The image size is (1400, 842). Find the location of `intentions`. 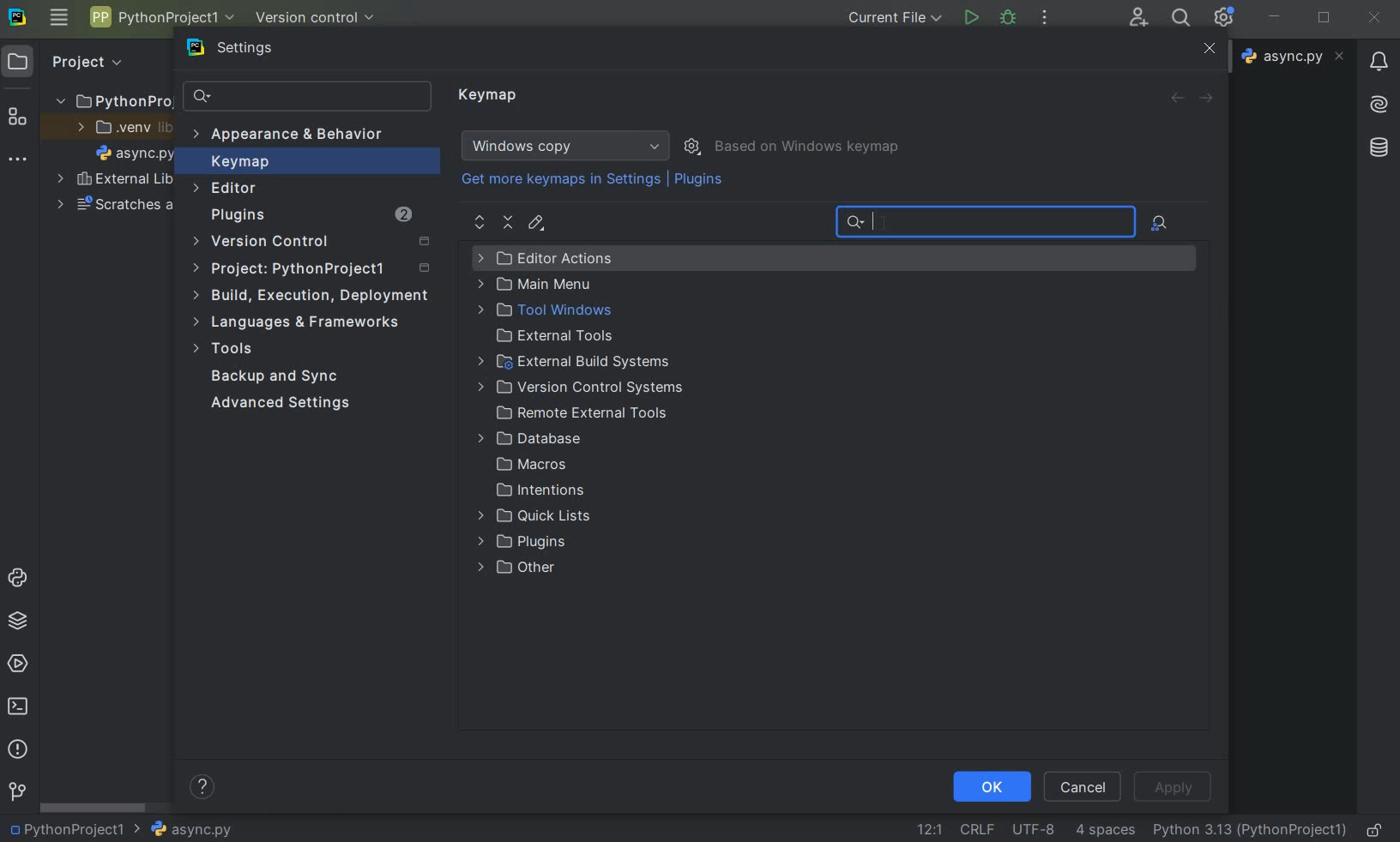

intentions is located at coordinates (525, 490).